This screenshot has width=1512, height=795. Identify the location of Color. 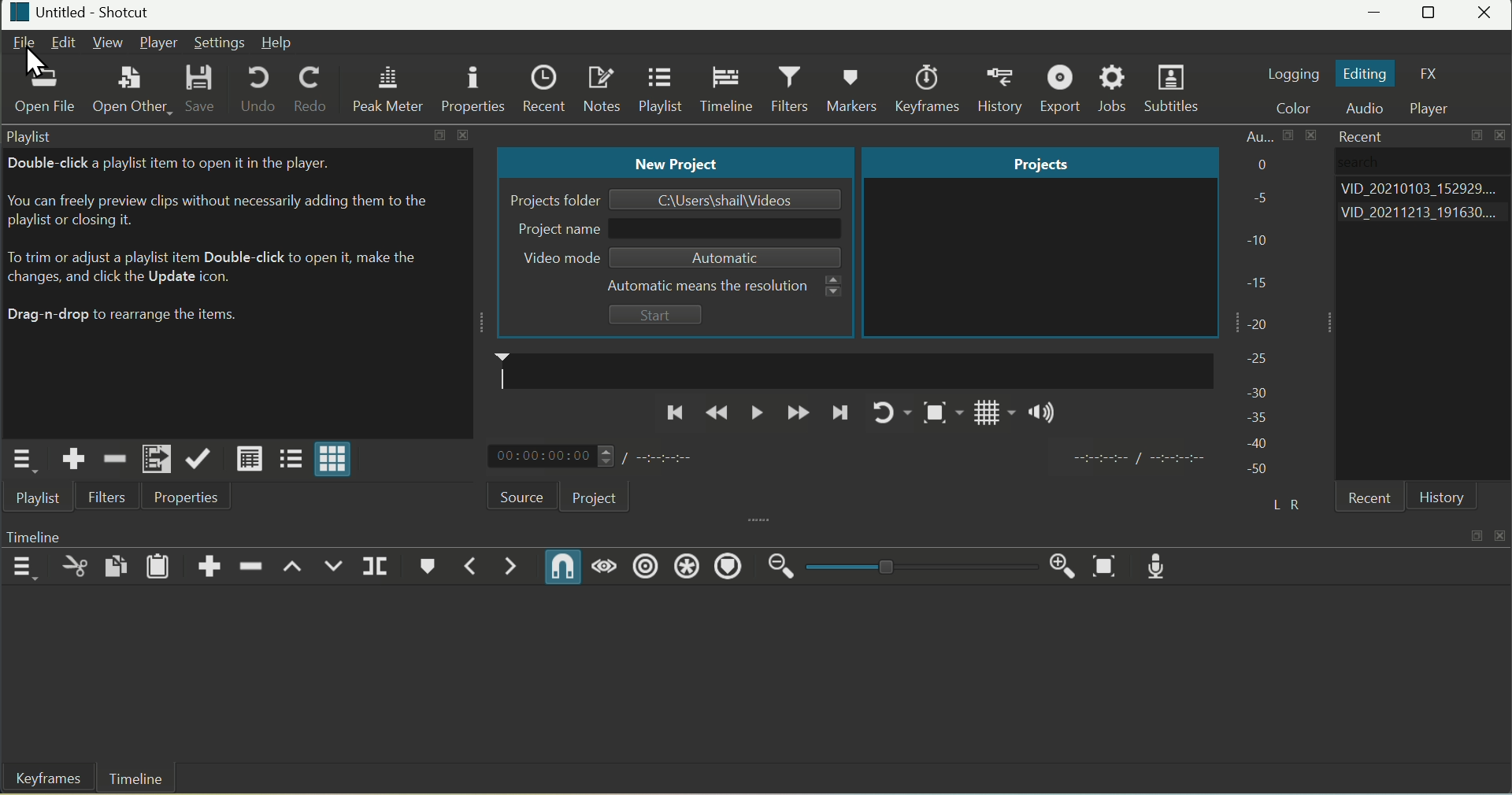
(1301, 109).